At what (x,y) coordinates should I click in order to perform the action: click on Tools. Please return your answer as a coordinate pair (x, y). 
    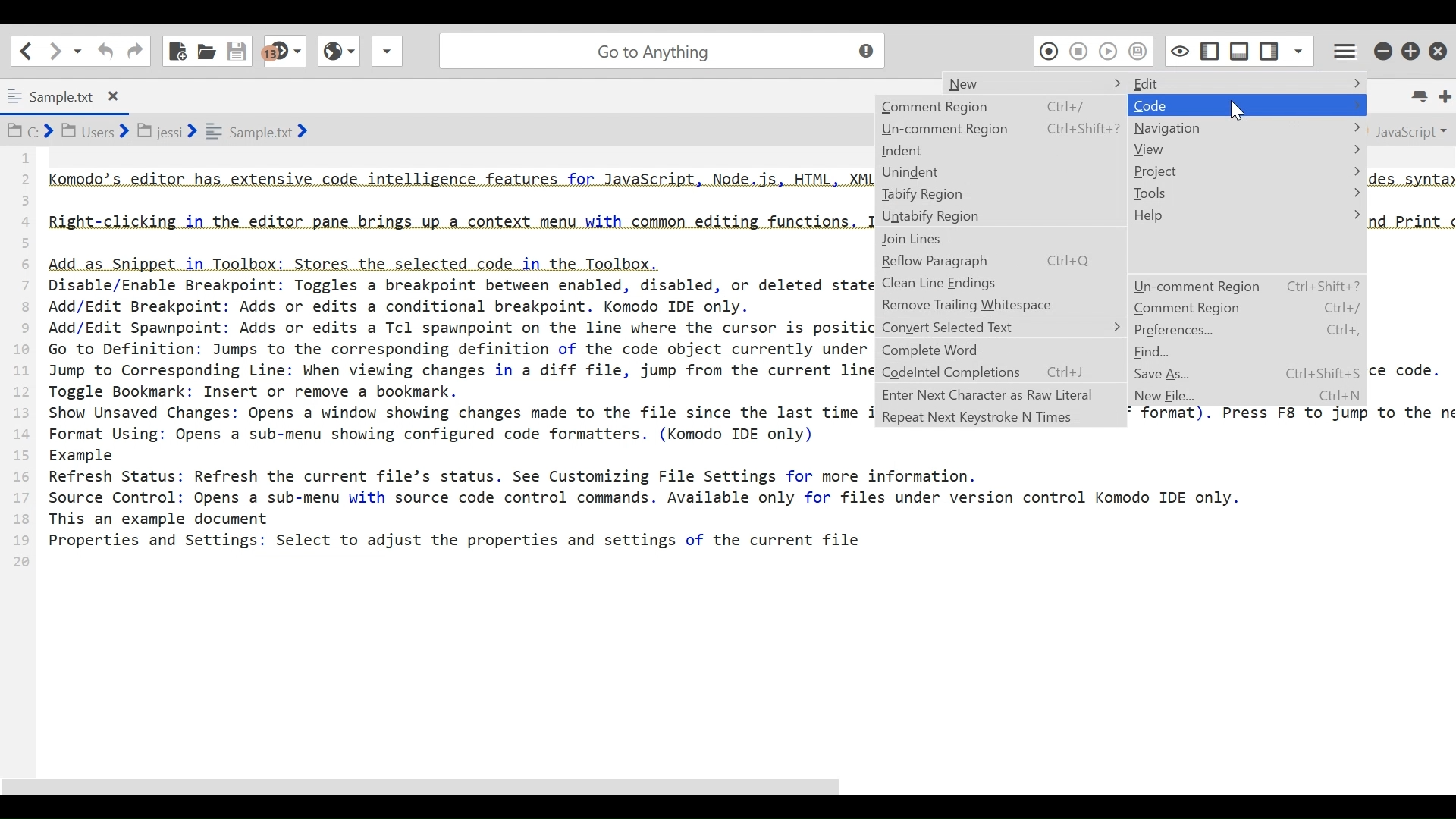
    Looking at the image, I should click on (1246, 193).